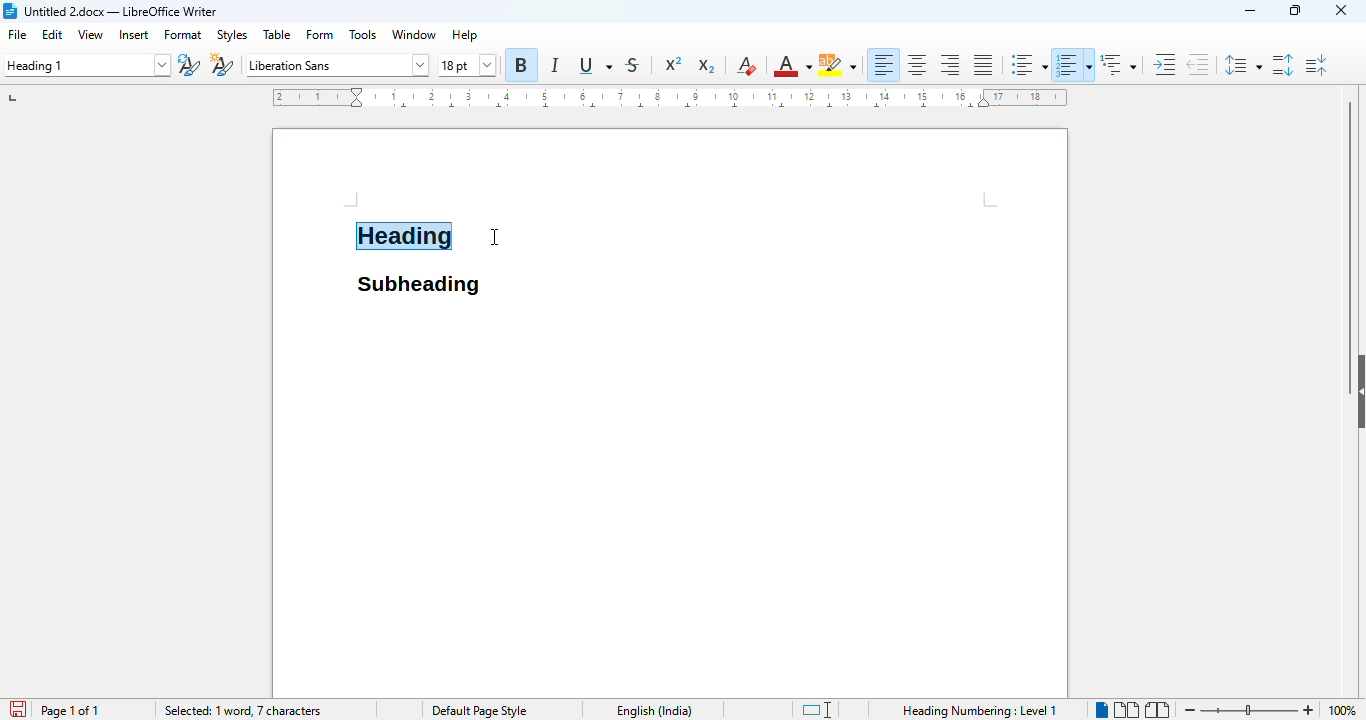 The height and width of the screenshot is (720, 1366). I want to click on subscript, so click(705, 66).